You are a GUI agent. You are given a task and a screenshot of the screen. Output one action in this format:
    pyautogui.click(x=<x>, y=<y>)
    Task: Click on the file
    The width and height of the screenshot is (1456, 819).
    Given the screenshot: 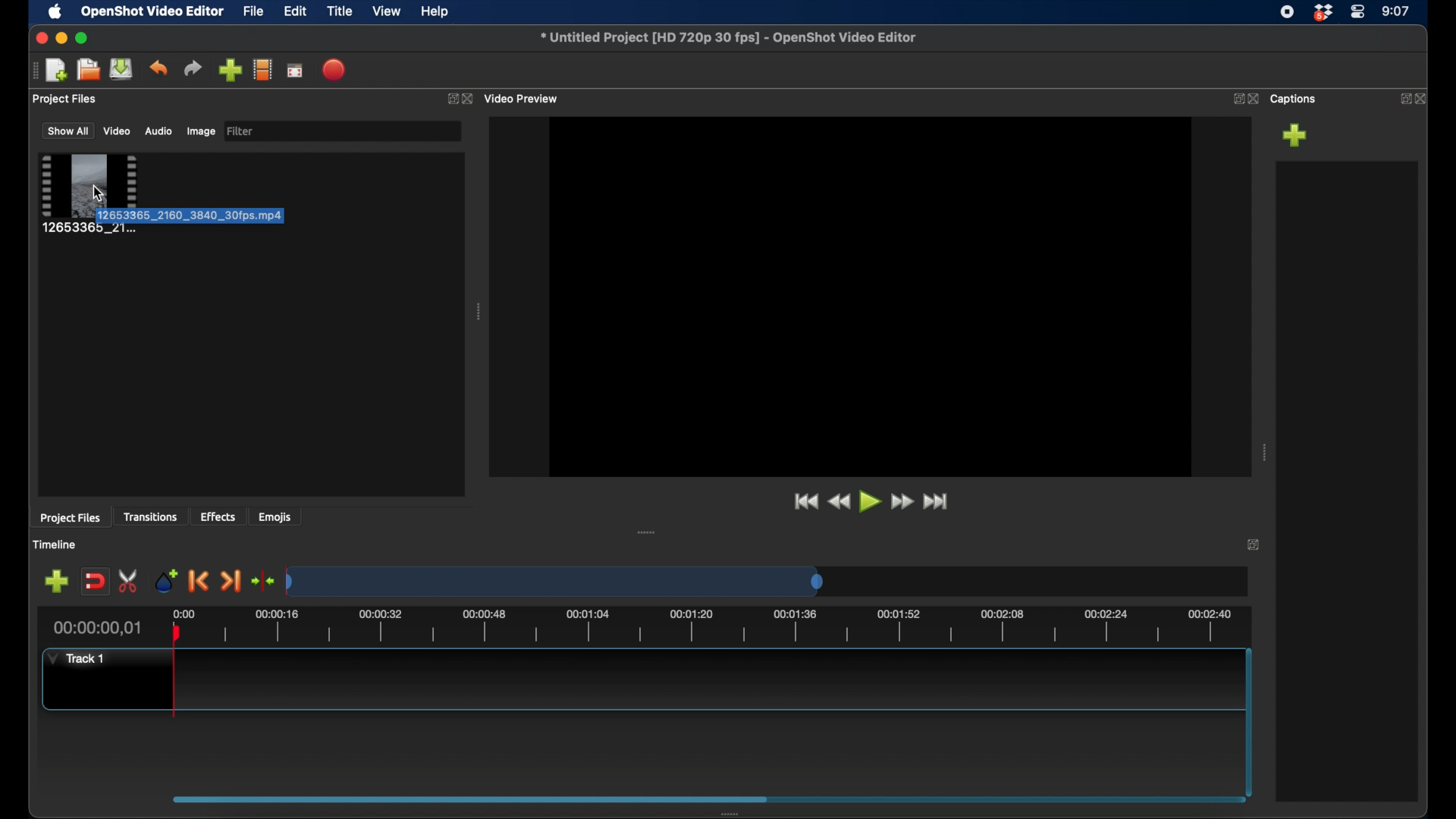 What is the action you would take?
    pyautogui.click(x=254, y=12)
    